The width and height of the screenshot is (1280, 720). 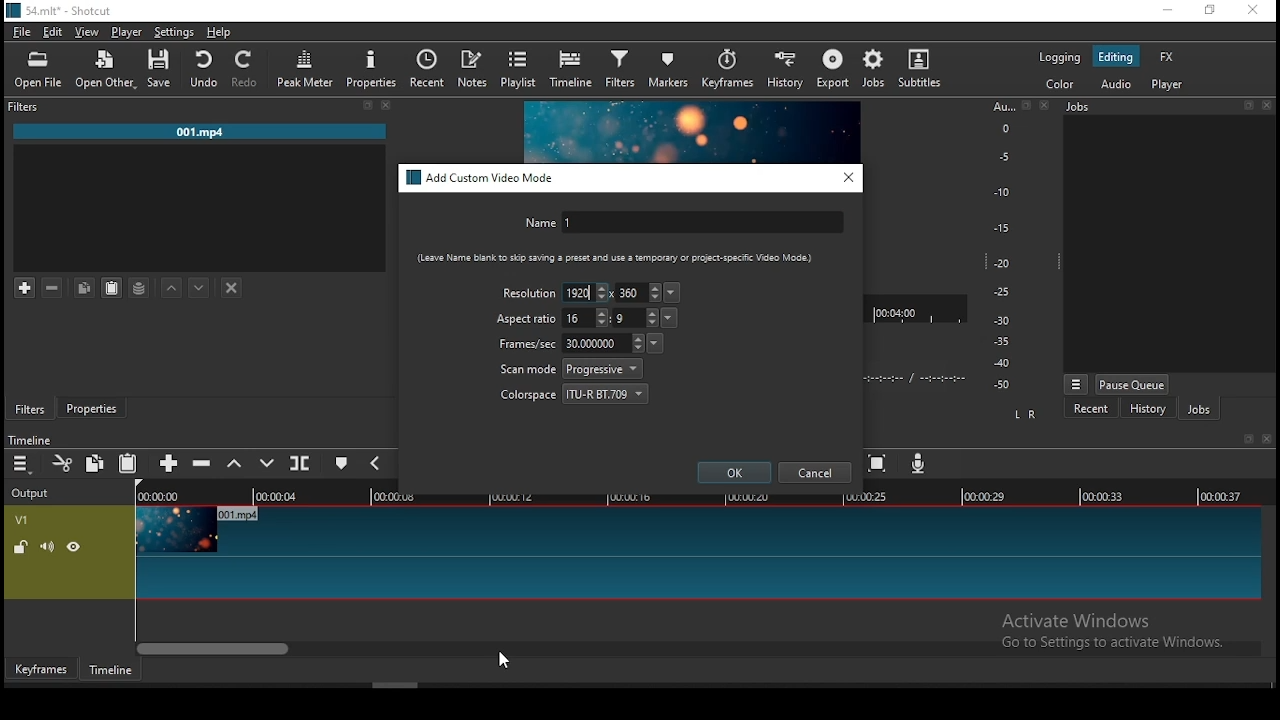 What do you see at coordinates (1000, 192) in the screenshot?
I see `-10` at bounding box center [1000, 192].